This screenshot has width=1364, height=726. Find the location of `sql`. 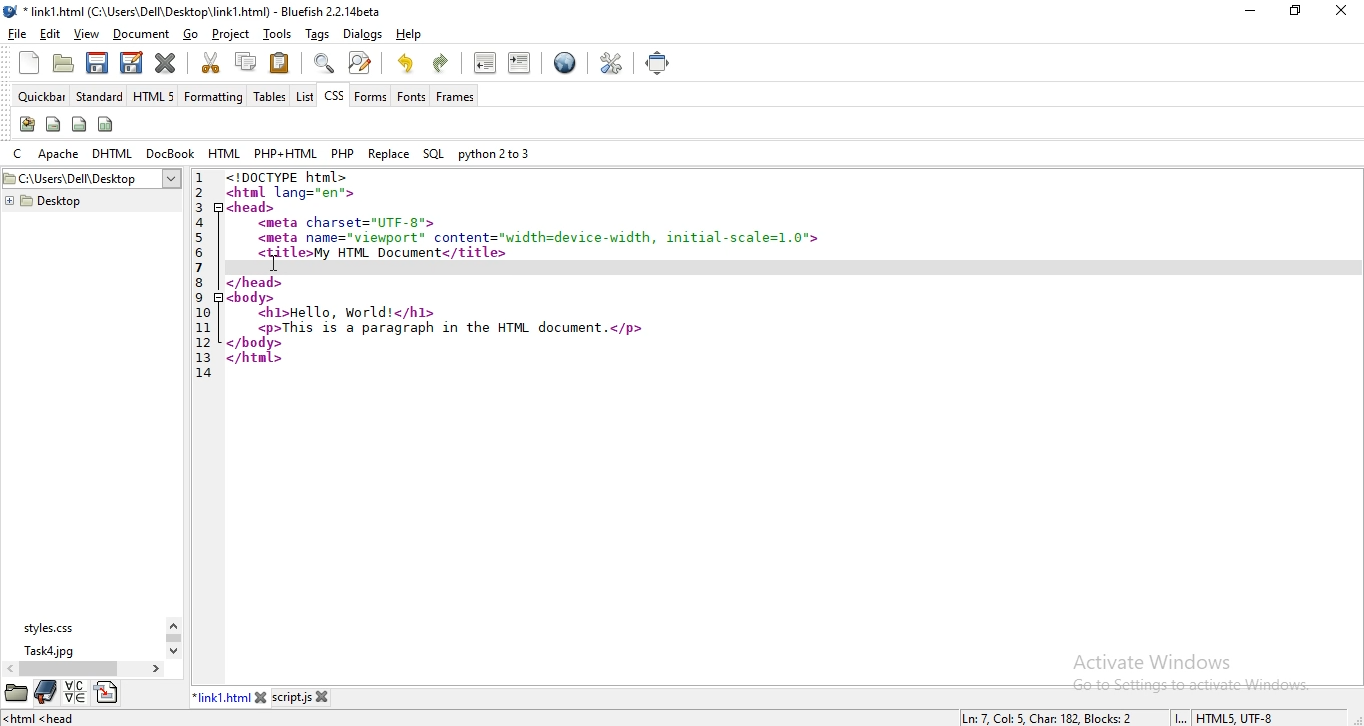

sql is located at coordinates (432, 154).